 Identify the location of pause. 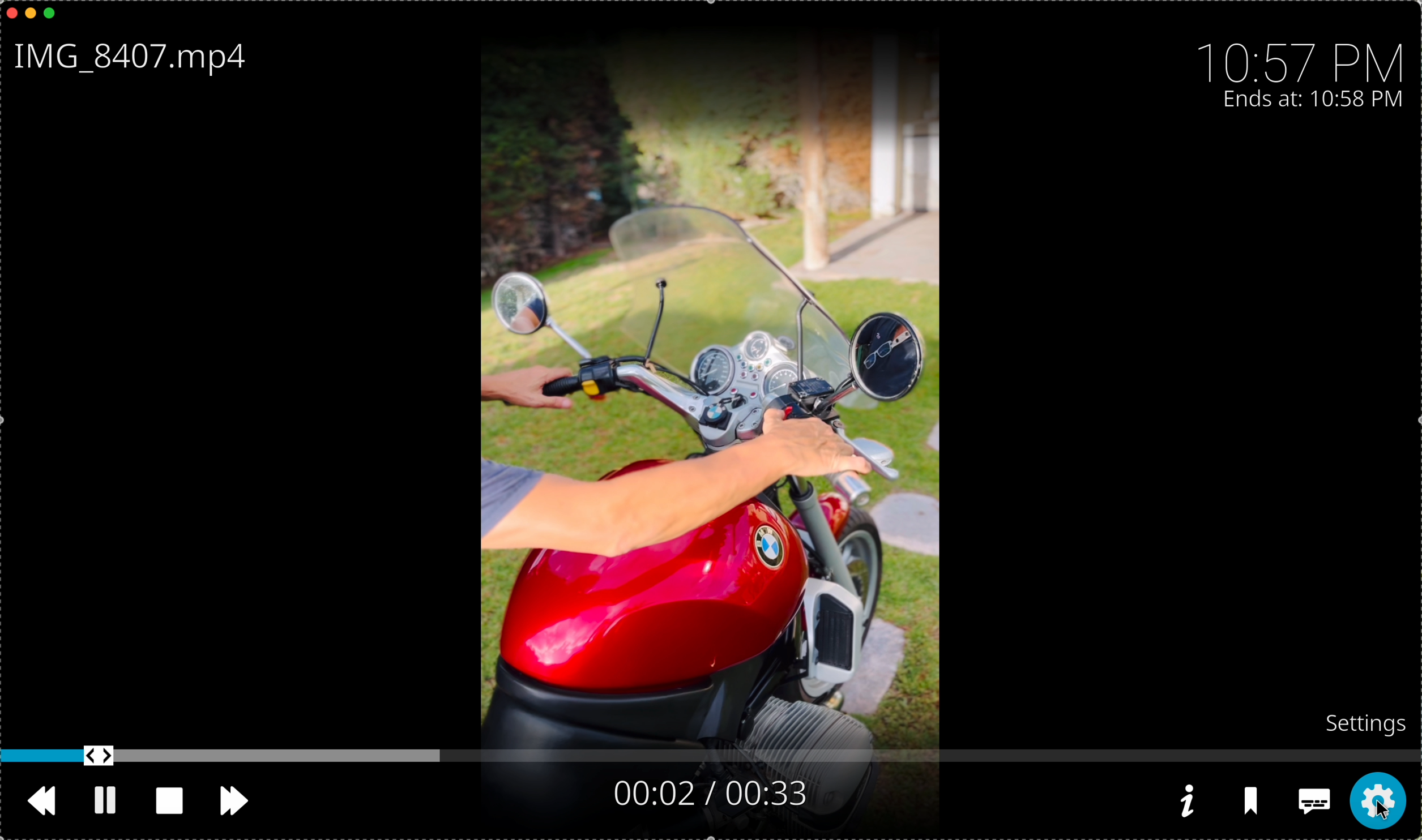
(106, 800).